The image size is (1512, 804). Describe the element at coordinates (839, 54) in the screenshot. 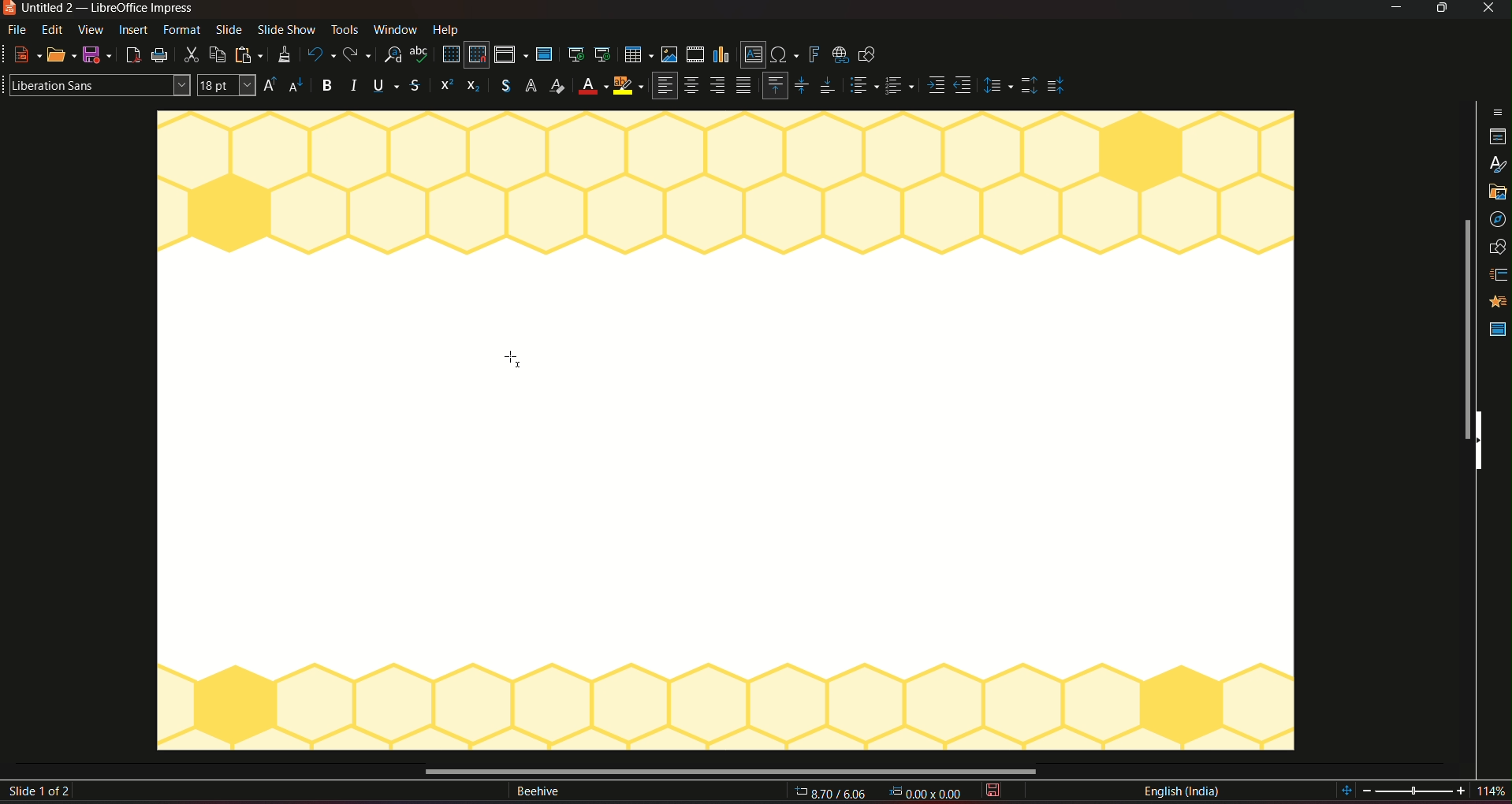

I see `insert hyperlink` at that location.